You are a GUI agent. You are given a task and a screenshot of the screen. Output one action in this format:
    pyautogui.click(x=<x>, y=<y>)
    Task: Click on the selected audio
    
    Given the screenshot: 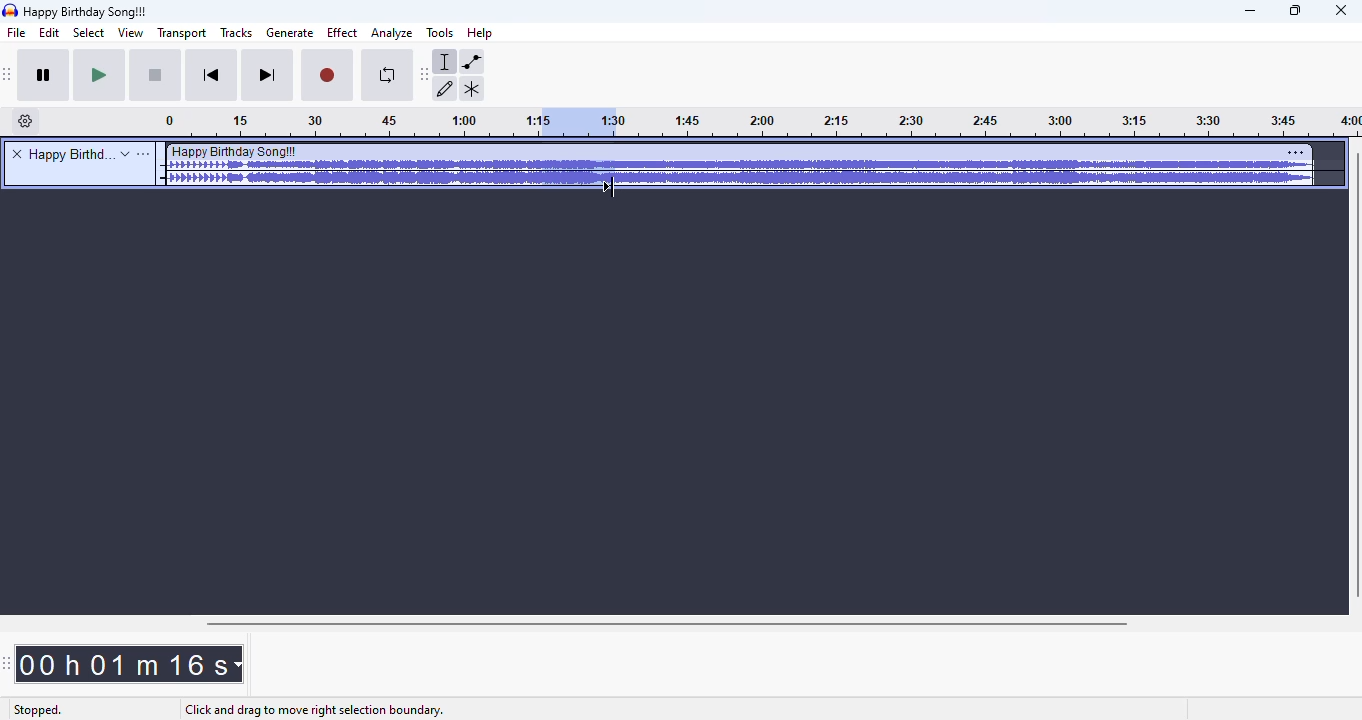 What is the action you would take?
    pyautogui.click(x=575, y=122)
    